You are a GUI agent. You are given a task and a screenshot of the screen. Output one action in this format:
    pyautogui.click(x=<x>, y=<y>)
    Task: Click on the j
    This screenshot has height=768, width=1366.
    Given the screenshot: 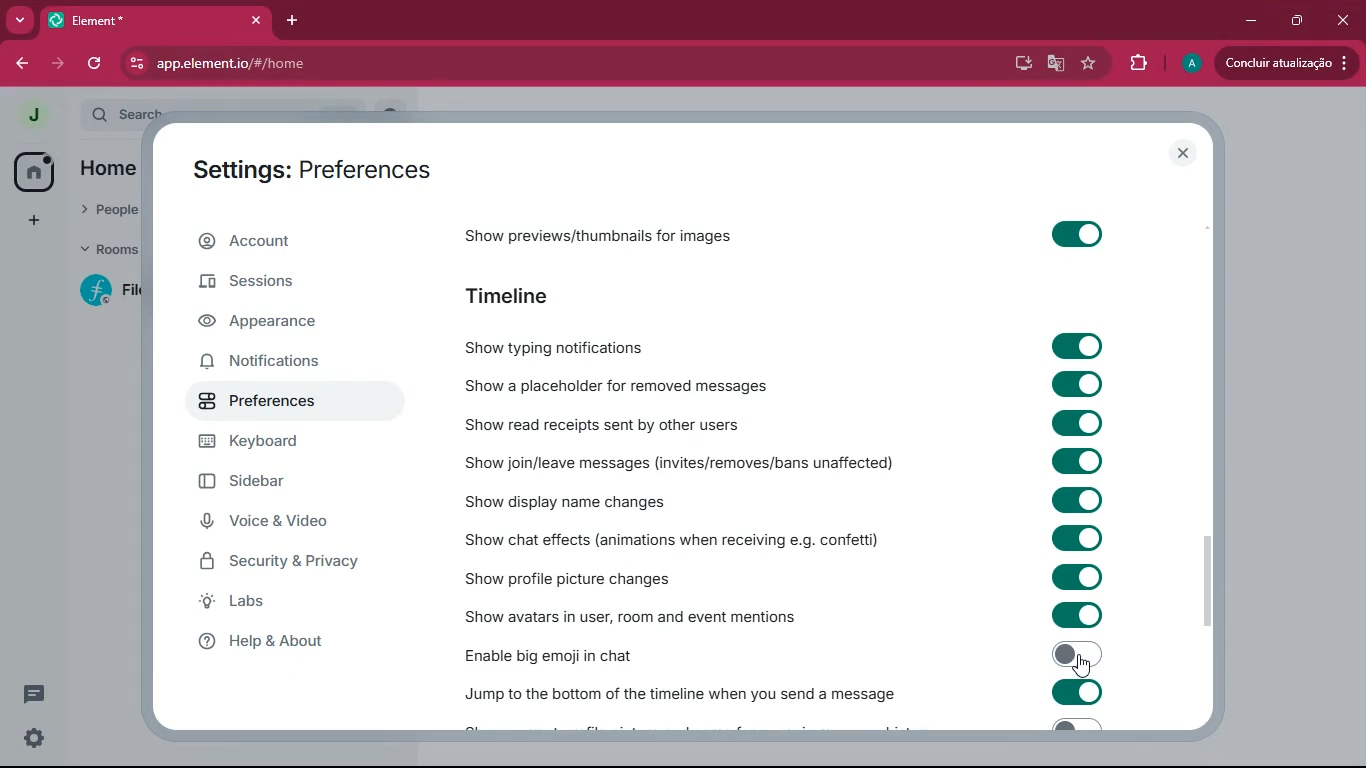 What is the action you would take?
    pyautogui.click(x=30, y=117)
    